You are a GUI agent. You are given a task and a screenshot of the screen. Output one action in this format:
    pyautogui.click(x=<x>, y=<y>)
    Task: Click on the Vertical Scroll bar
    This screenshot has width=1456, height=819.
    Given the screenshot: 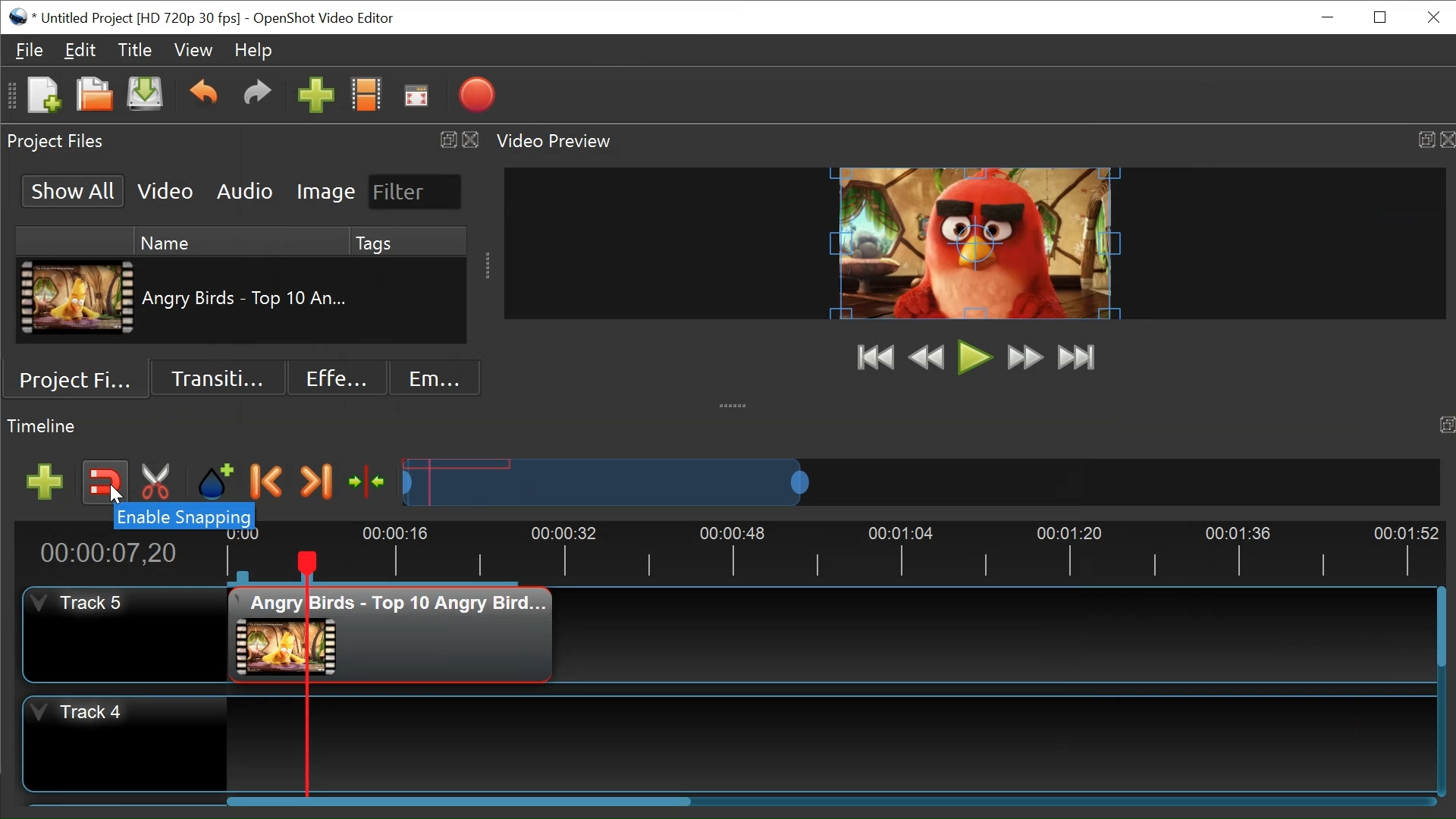 What is the action you would take?
    pyautogui.click(x=1437, y=626)
    